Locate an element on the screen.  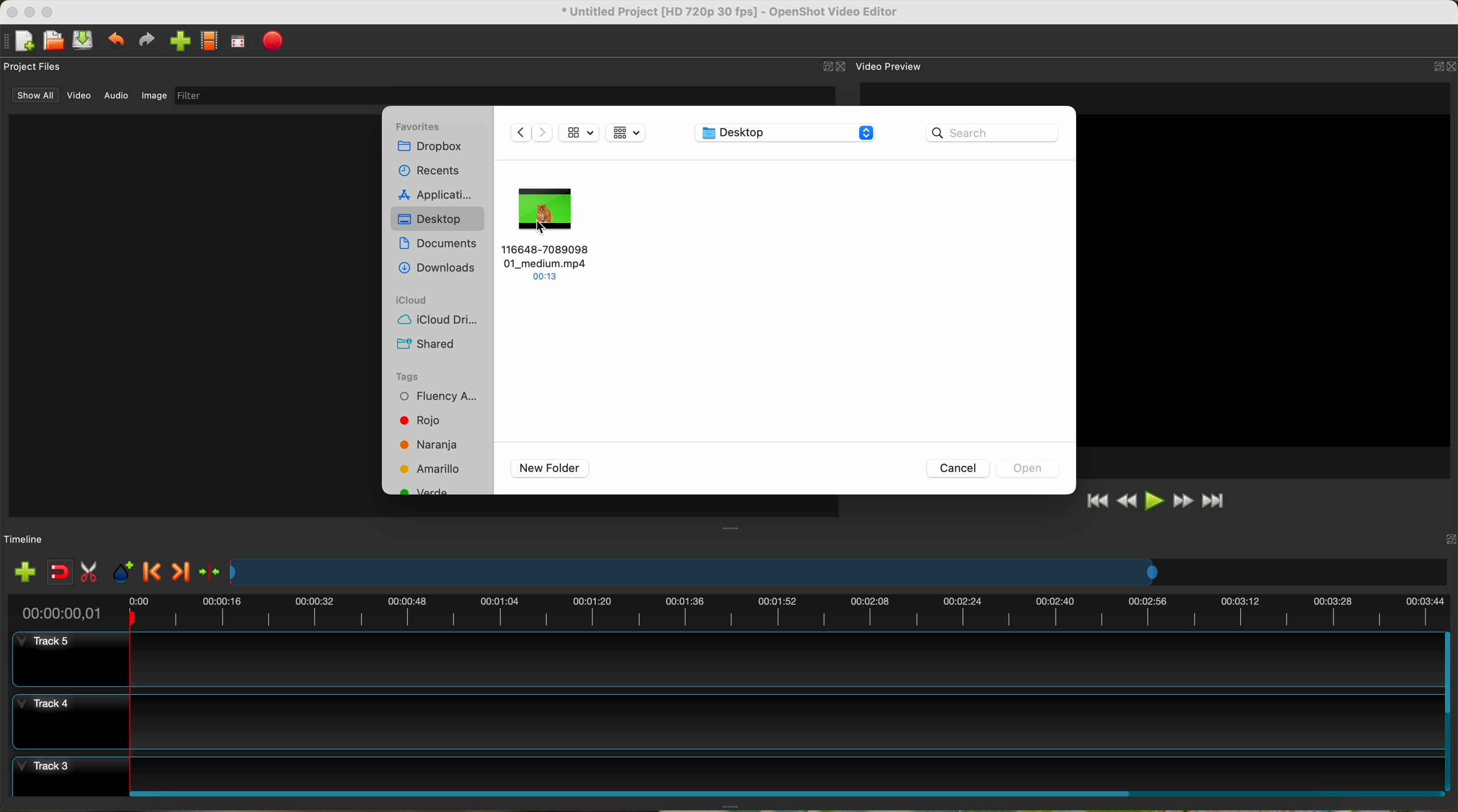
jump to start is located at coordinates (1096, 500).